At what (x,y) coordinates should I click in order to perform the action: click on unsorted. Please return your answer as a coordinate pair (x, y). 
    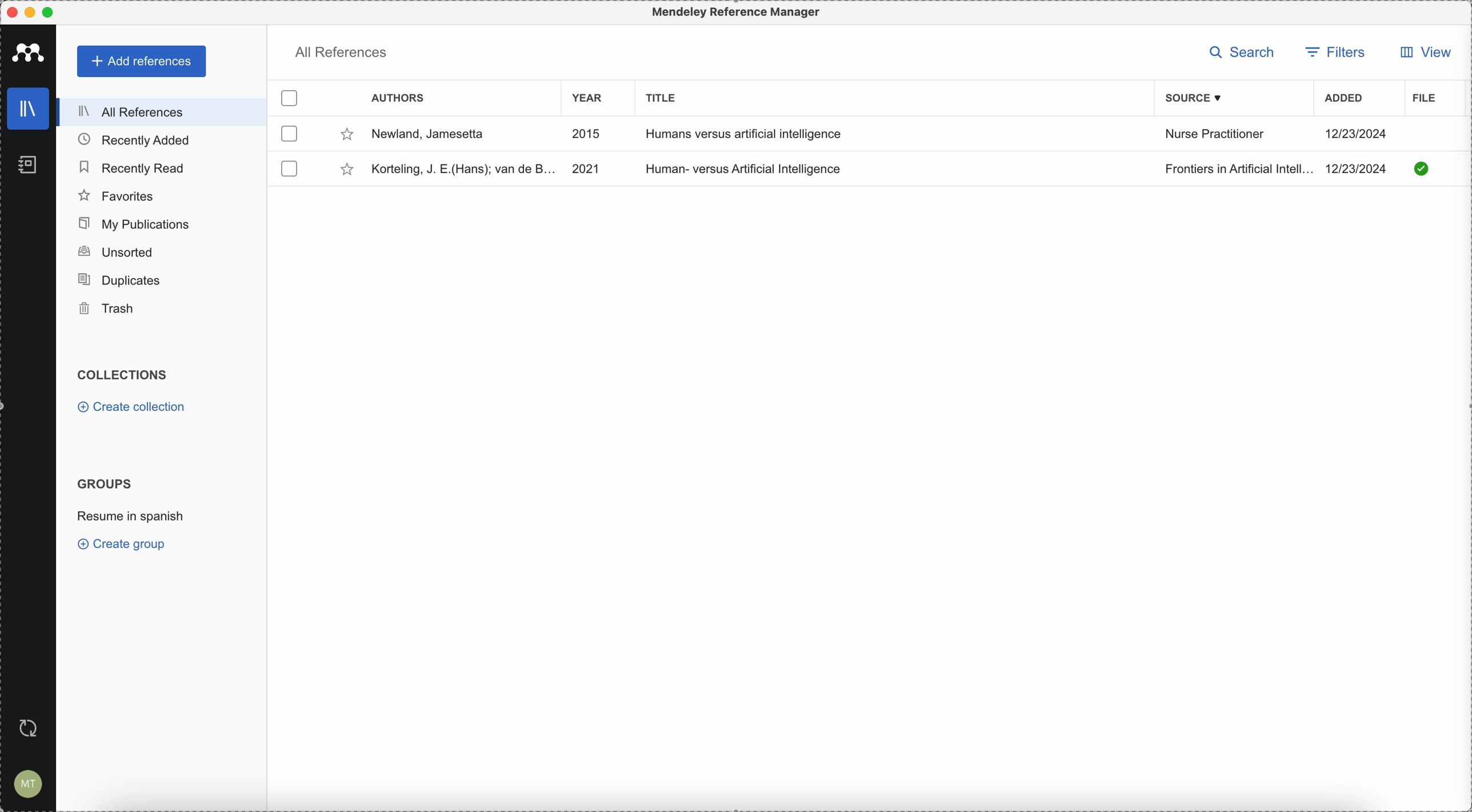
    Looking at the image, I should click on (116, 251).